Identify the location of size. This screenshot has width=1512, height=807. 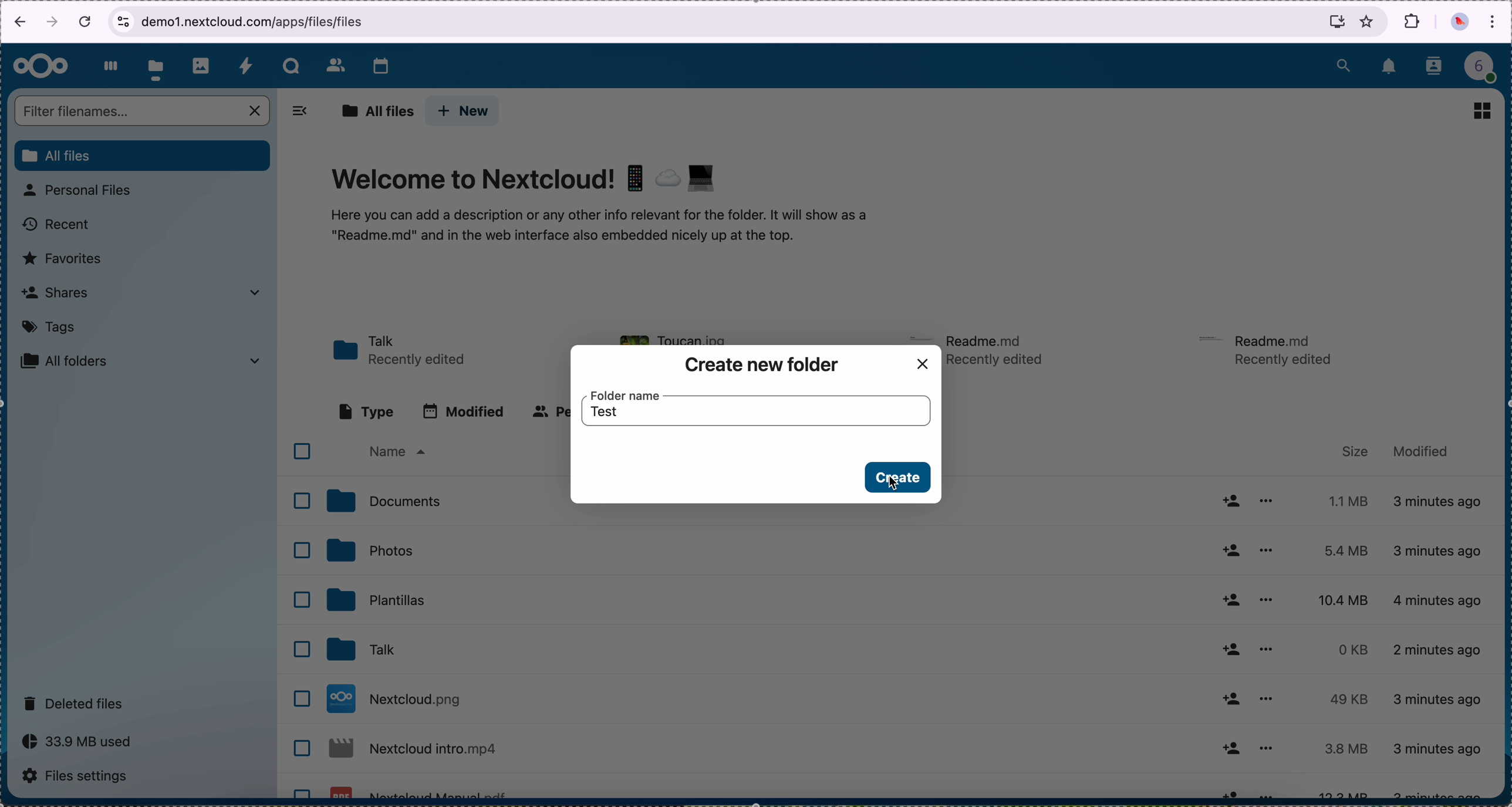
(1356, 451).